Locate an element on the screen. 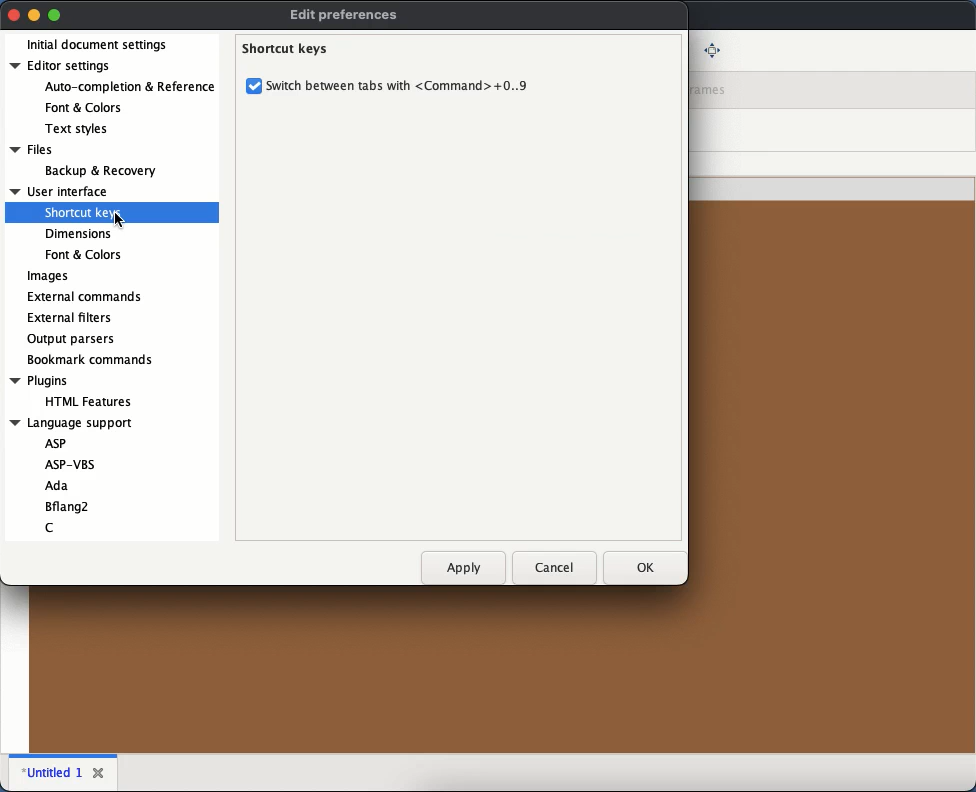  dimensions is located at coordinates (79, 233).